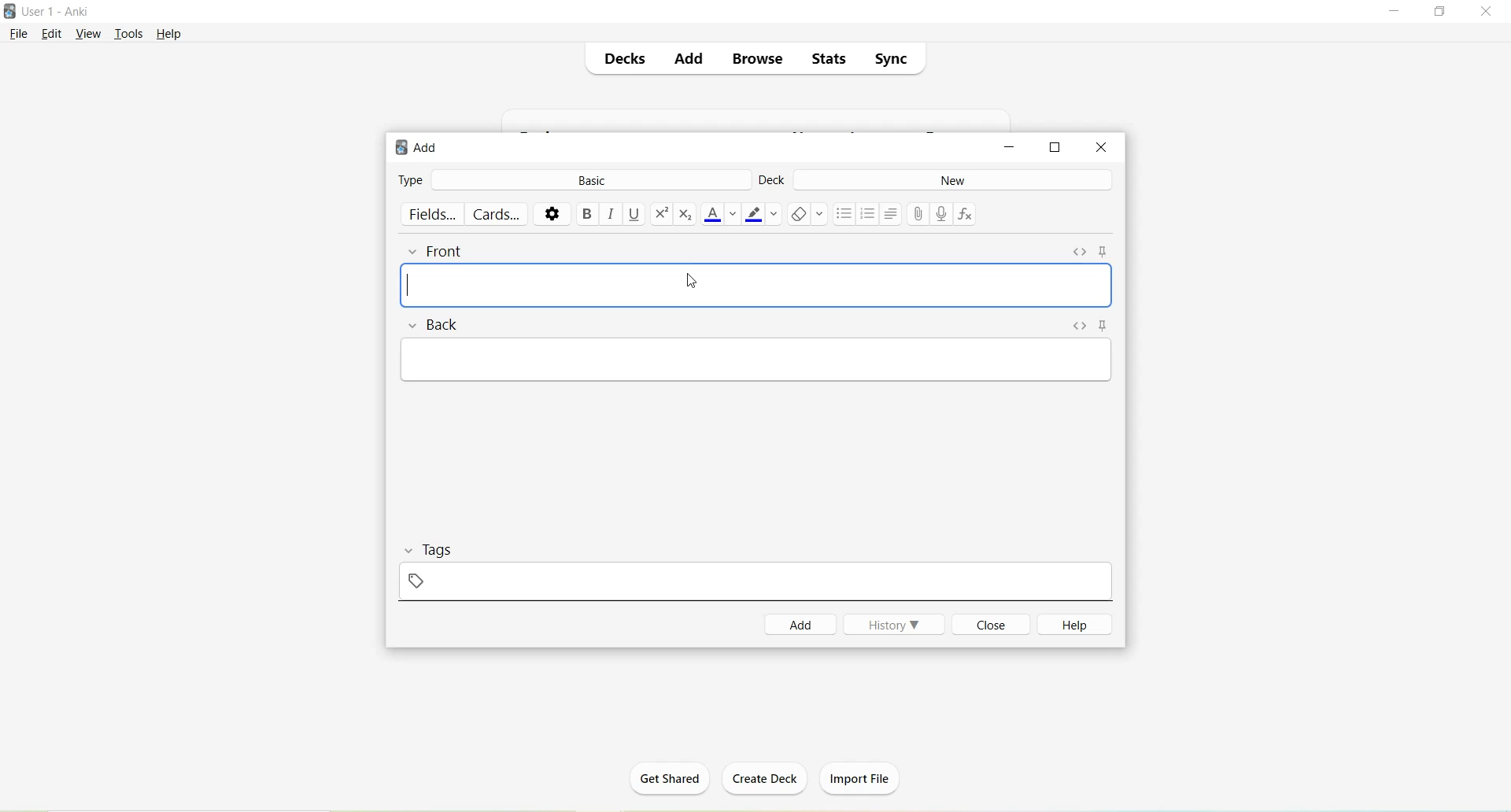 The width and height of the screenshot is (1511, 812). What do you see at coordinates (89, 35) in the screenshot?
I see `View` at bounding box center [89, 35].